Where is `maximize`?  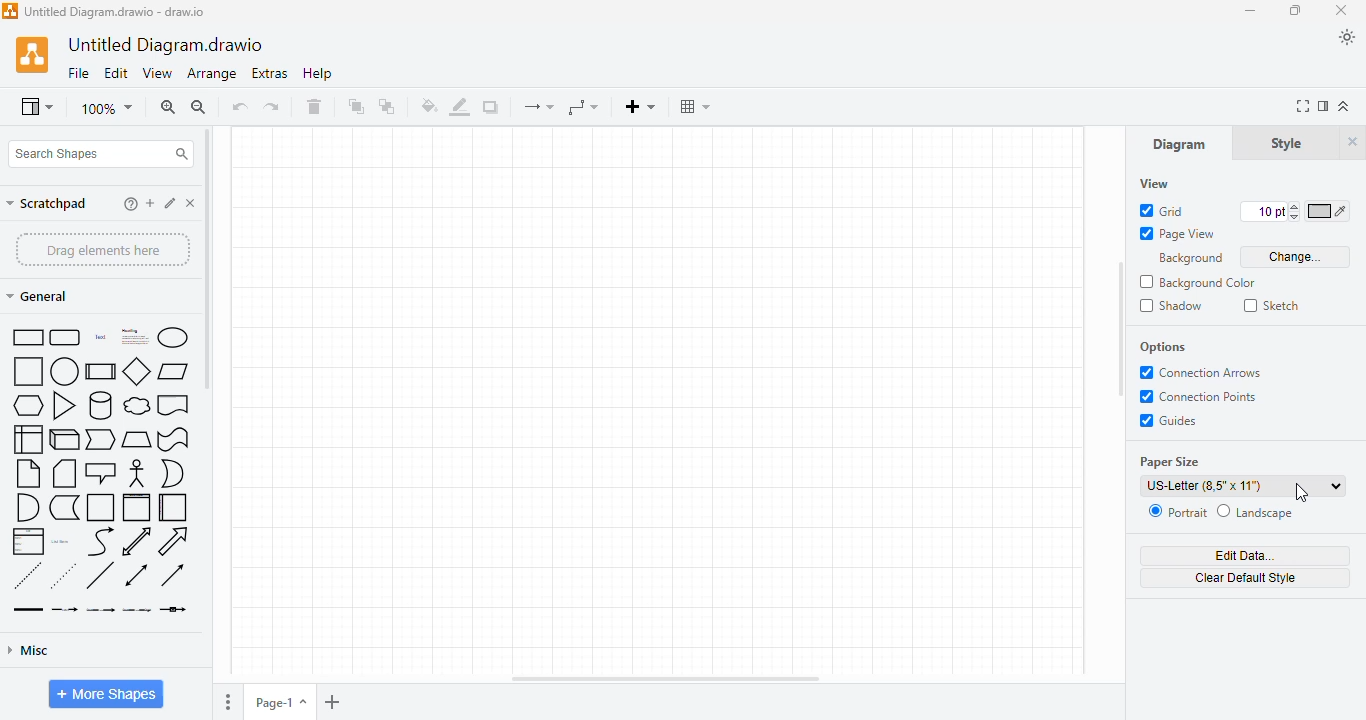
maximize is located at coordinates (1296, 11).